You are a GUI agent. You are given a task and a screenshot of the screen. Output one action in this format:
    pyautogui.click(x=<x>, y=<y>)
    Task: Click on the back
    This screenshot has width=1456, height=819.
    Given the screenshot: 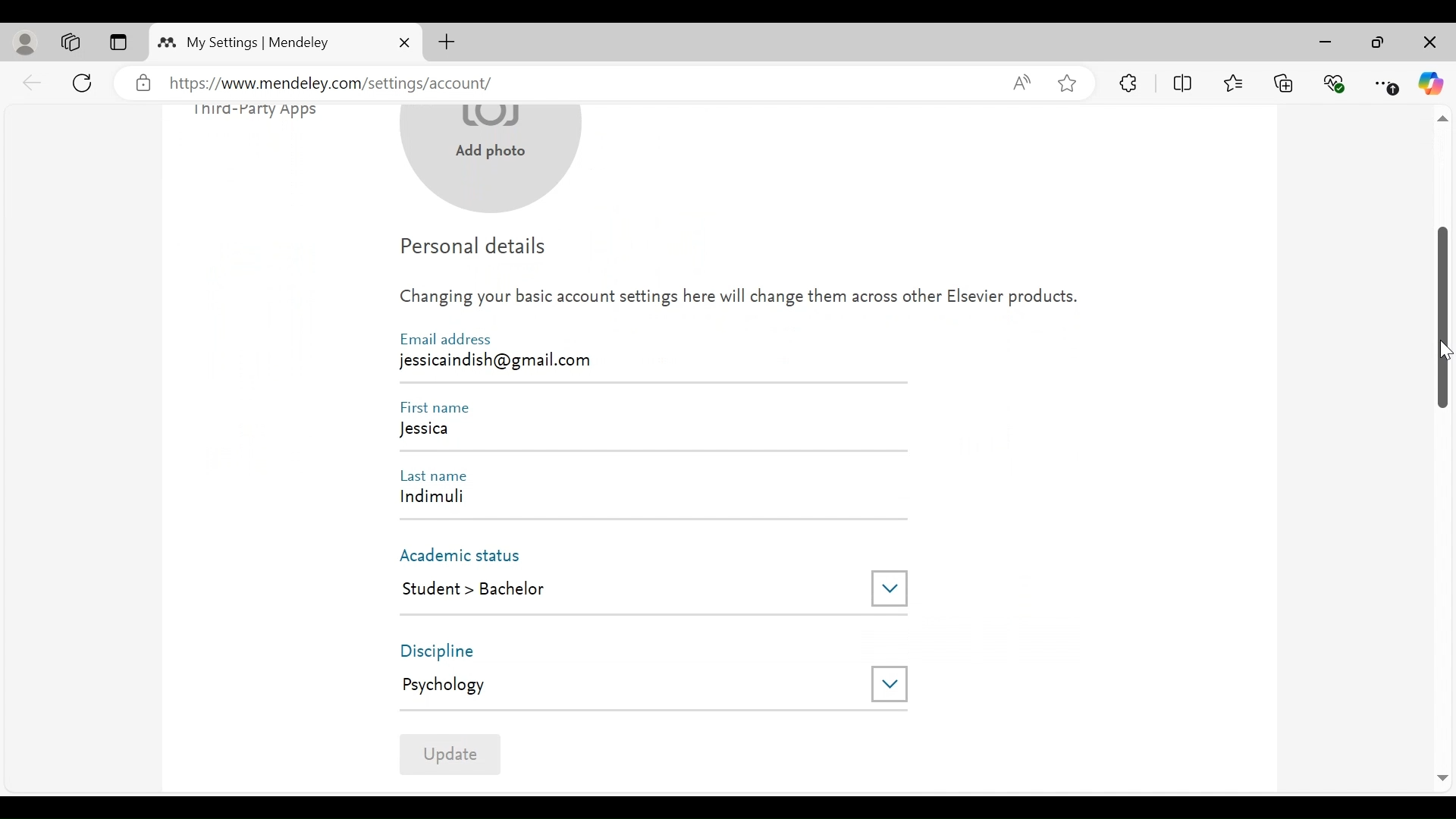 What is the action you would take?
    pyautogui.click(x=33, y=82)
    